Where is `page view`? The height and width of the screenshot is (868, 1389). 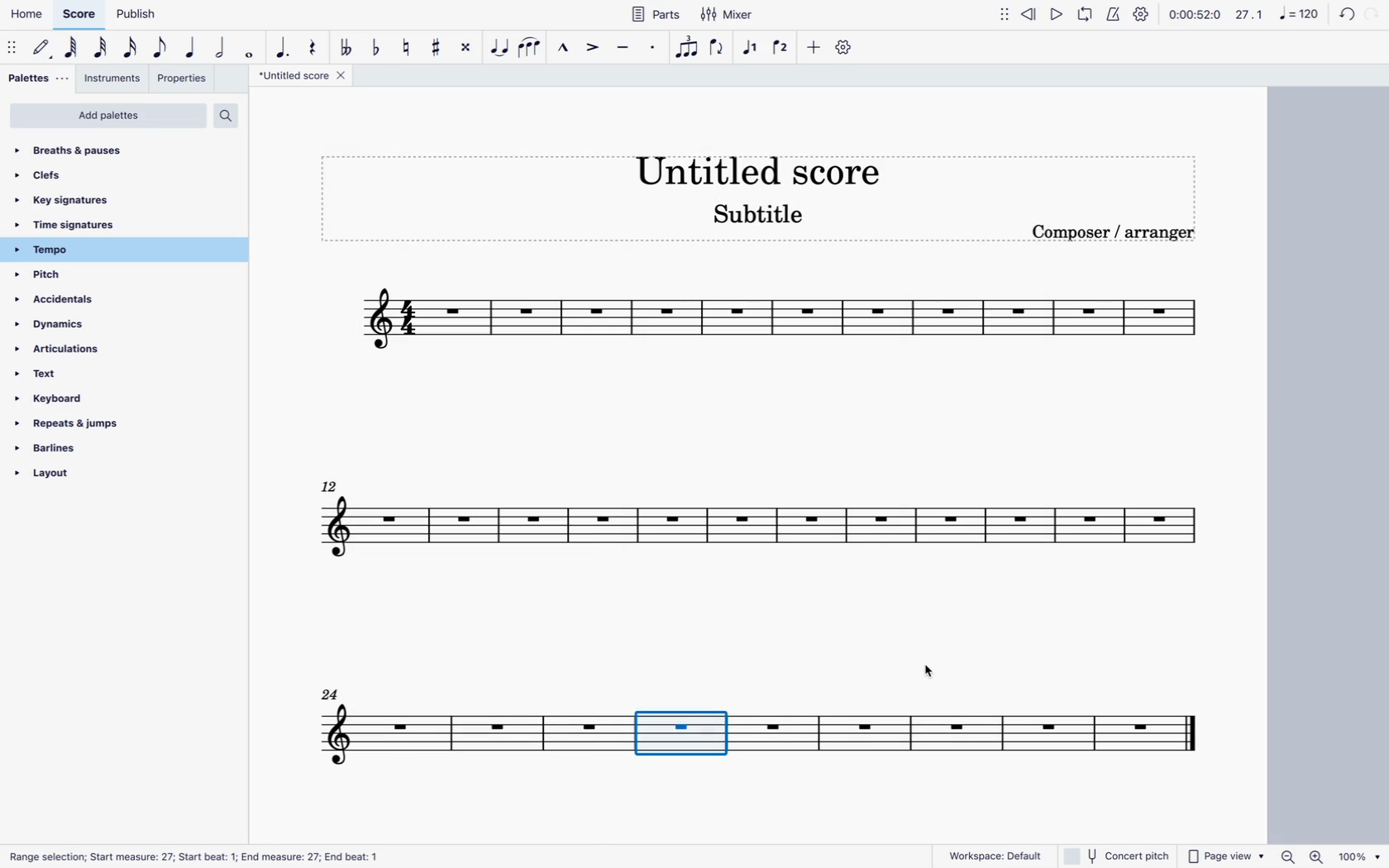
page view is located at coordinates (1225, 855).